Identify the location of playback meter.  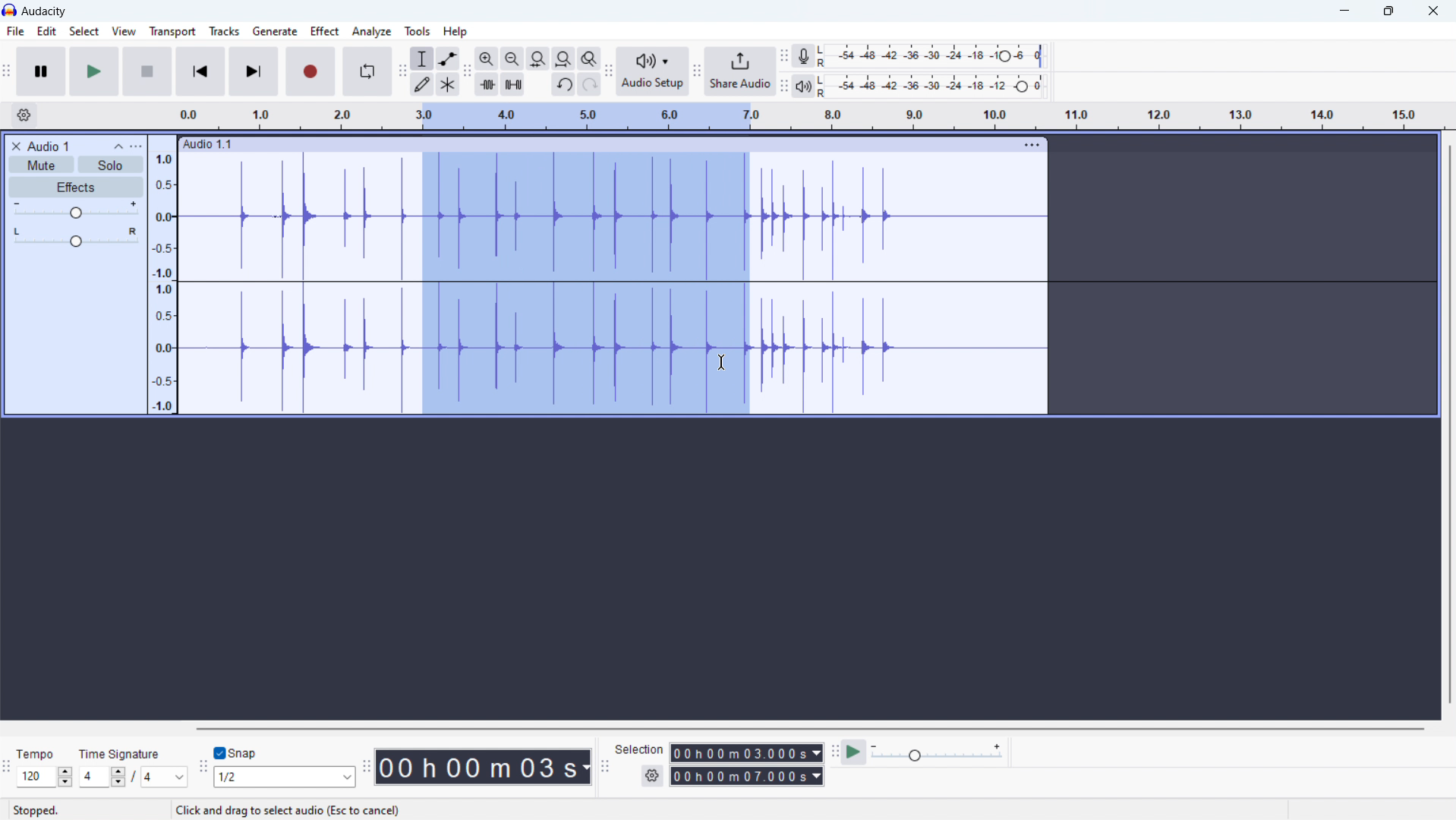
(807, 87).